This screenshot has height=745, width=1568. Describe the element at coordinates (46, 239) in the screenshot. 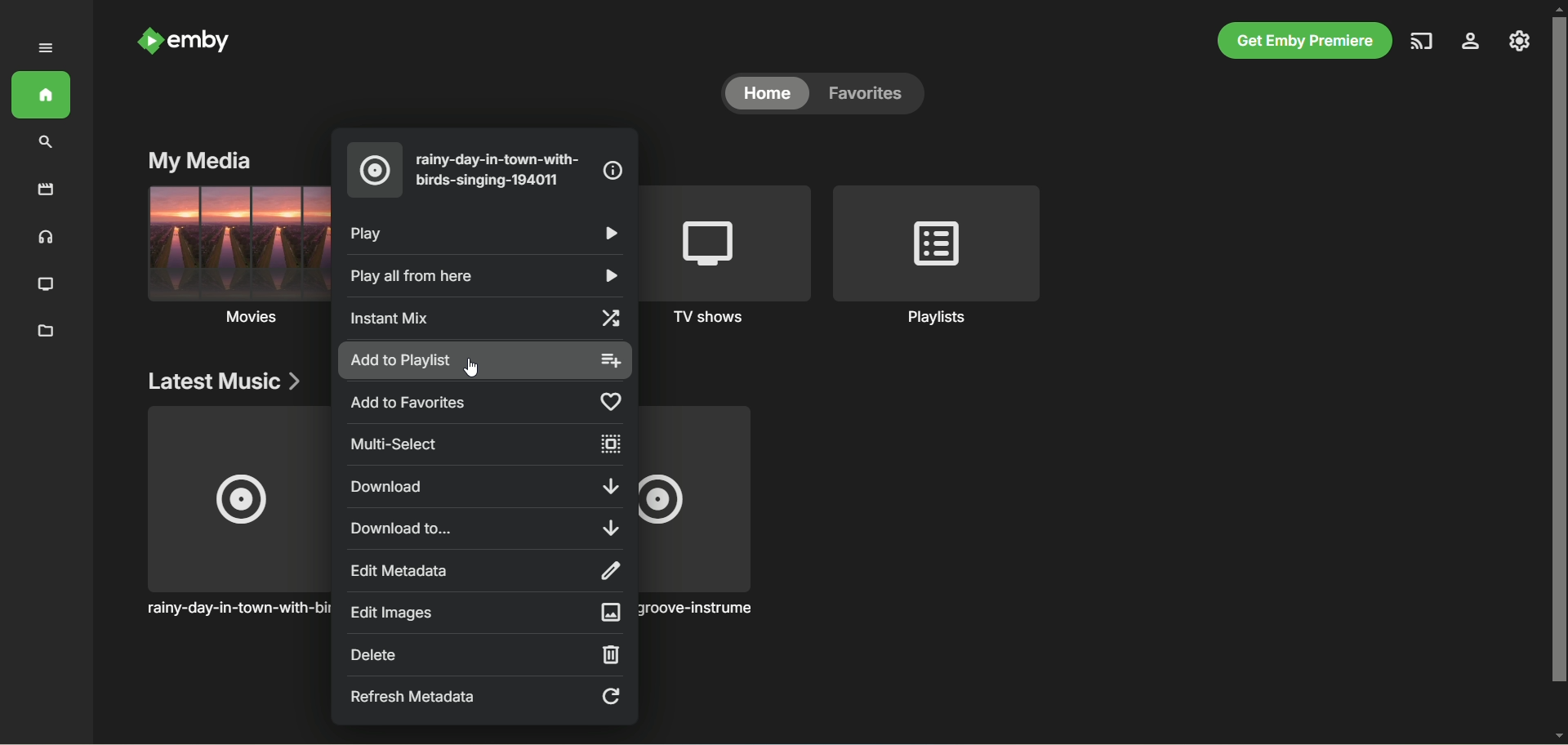

I see `music` at that location.